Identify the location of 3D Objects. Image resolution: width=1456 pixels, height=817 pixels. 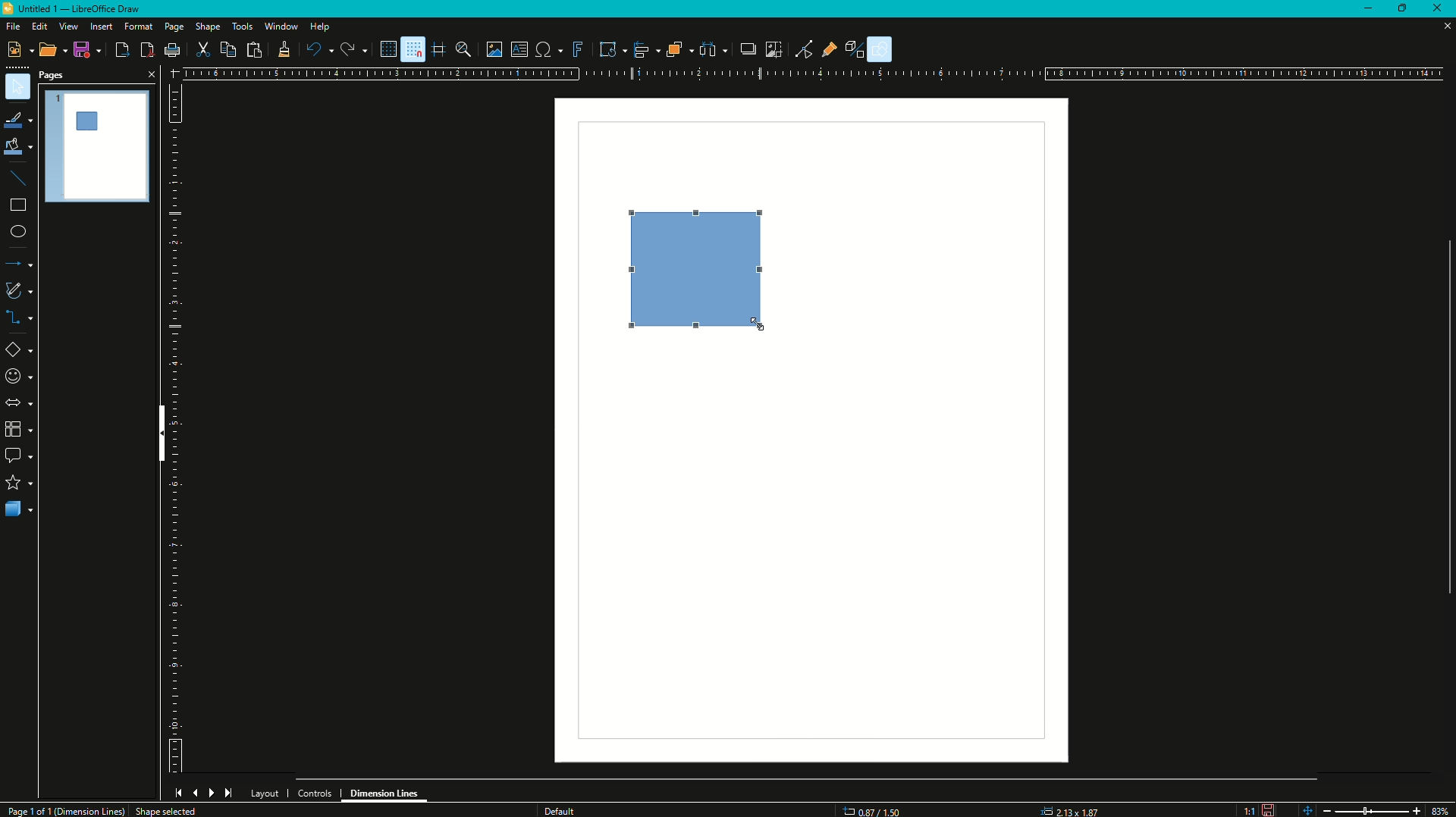
(19, 511).